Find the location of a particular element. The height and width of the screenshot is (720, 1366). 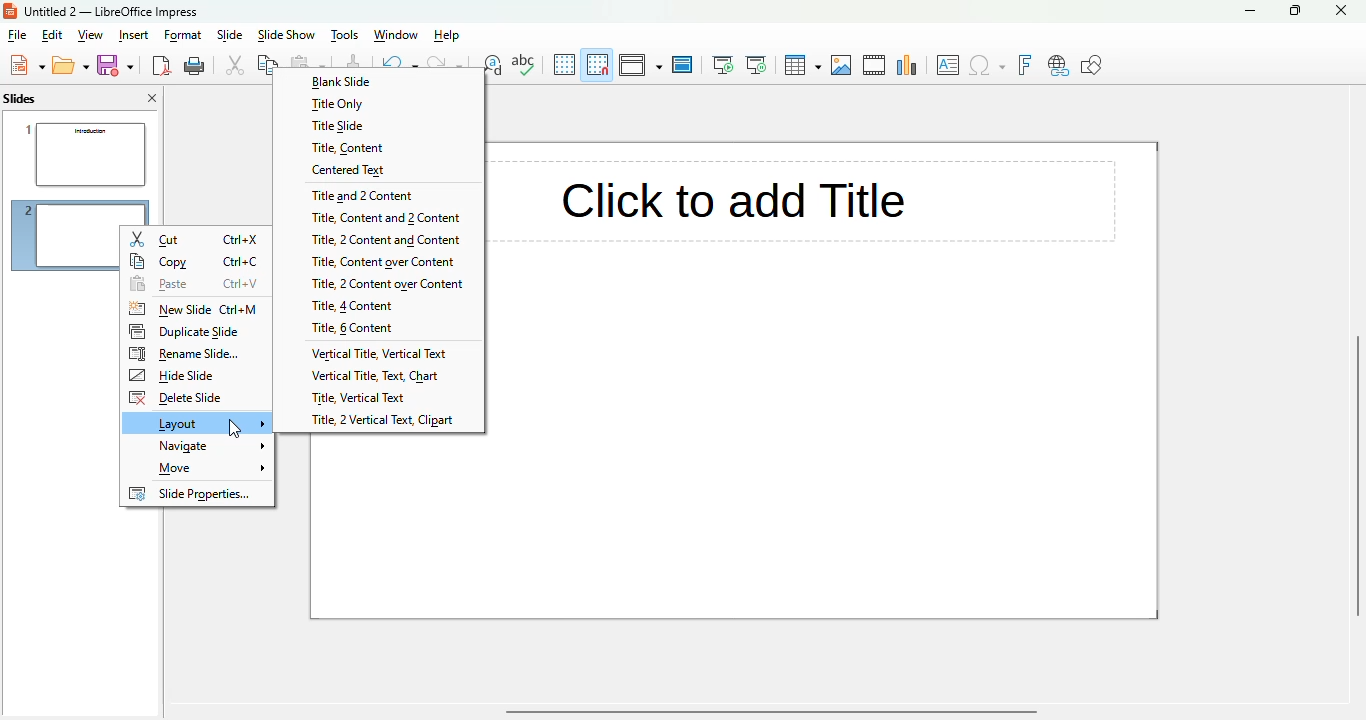

spelling is located at coordinates (524, 64).